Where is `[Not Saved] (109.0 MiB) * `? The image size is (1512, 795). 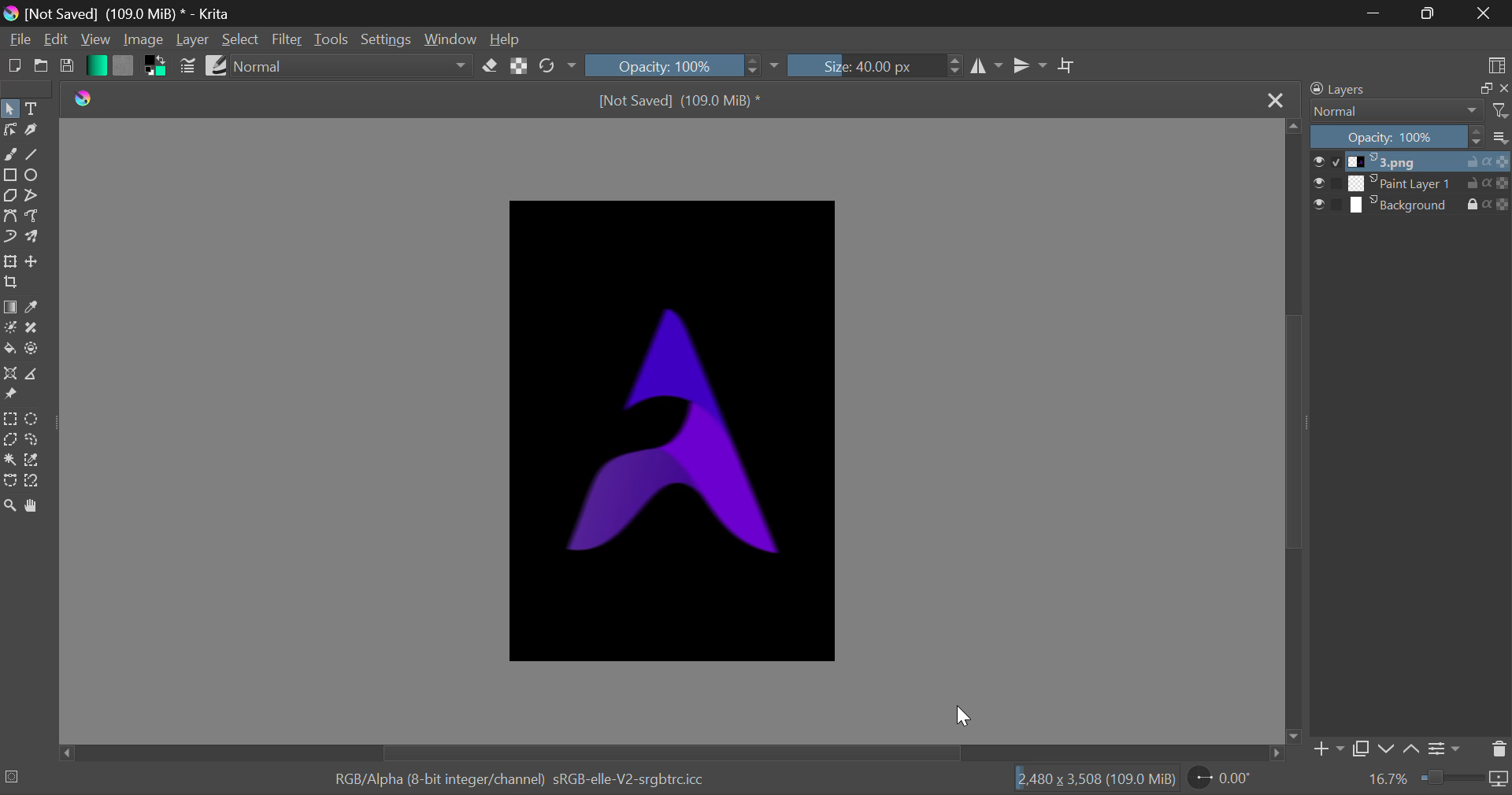 [Not Saved] (109.0 MiB) *  is located at coordinates (684, 98).